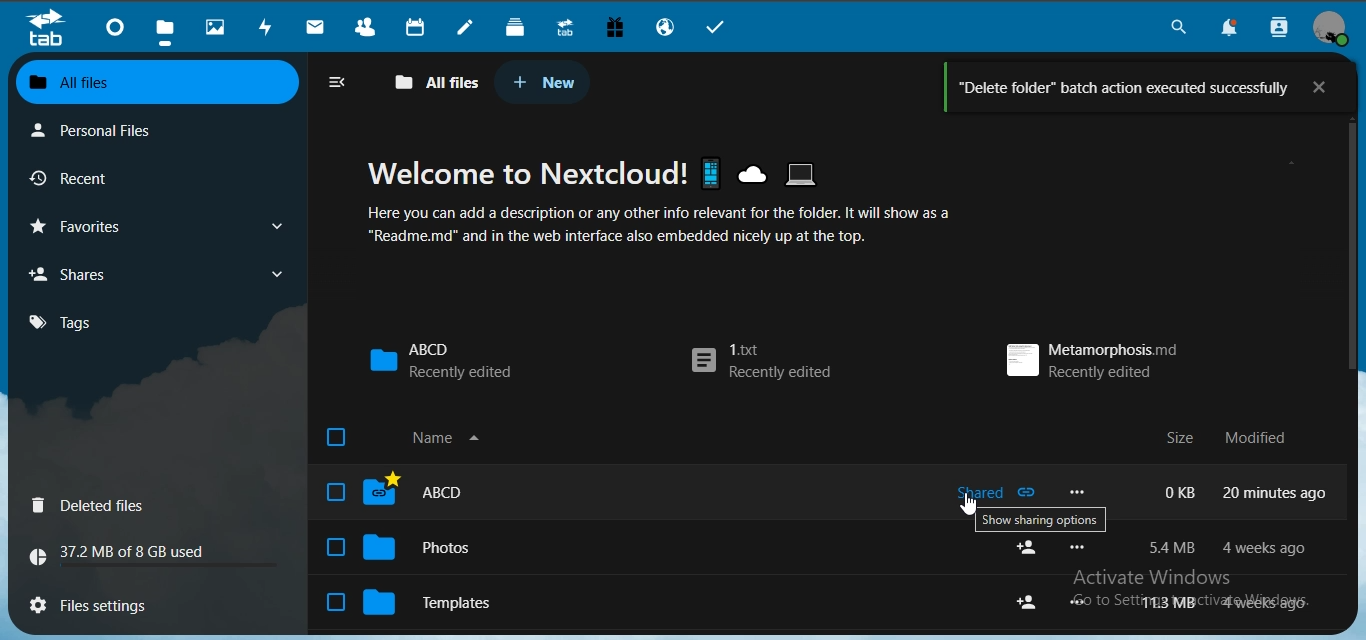 The width and height of the screenshot is (1366, 640). Describe the element at coordinates (98, 604) in the screenshot. I see `files settings` at that location.